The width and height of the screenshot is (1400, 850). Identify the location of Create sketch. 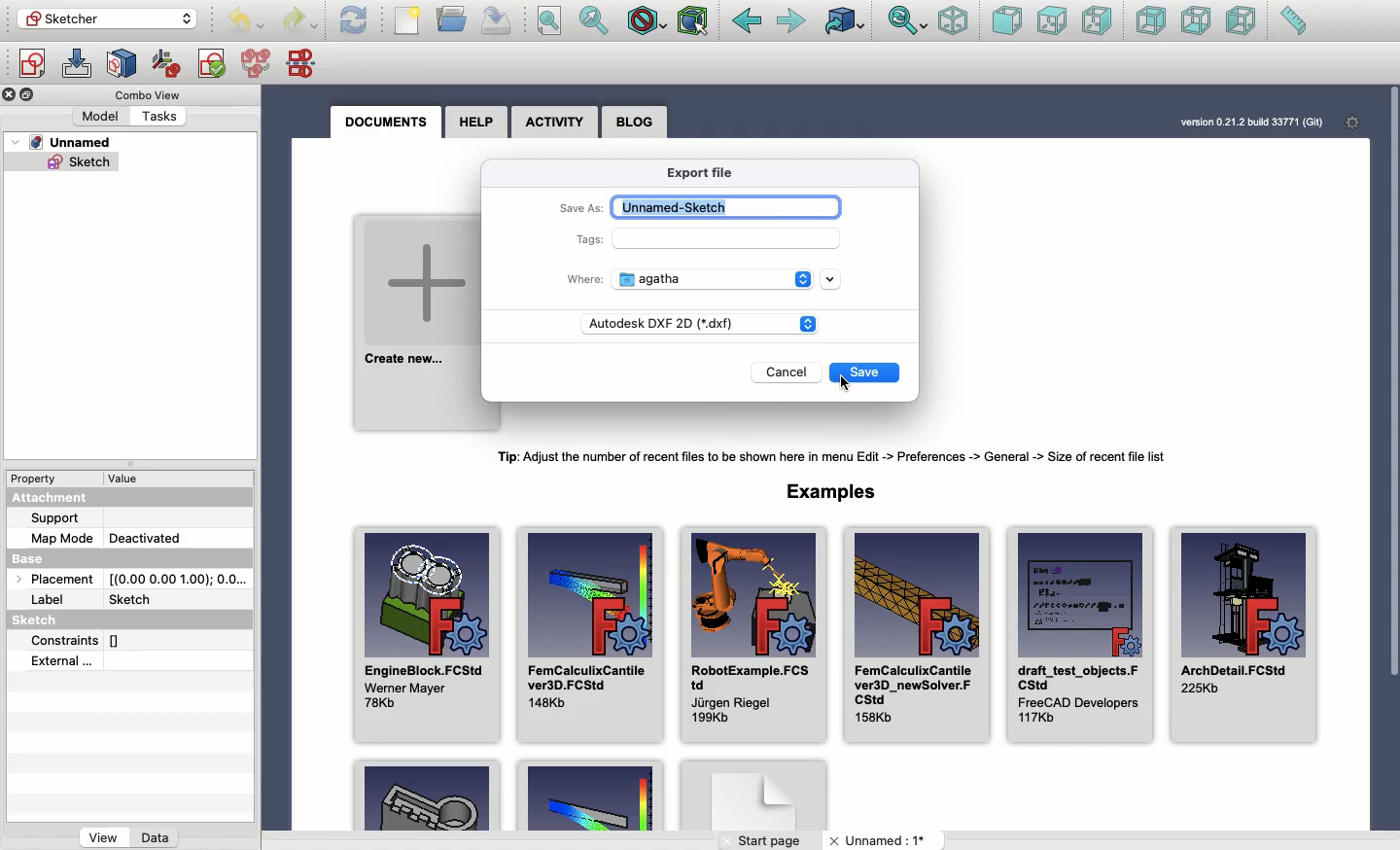
(30, 63).